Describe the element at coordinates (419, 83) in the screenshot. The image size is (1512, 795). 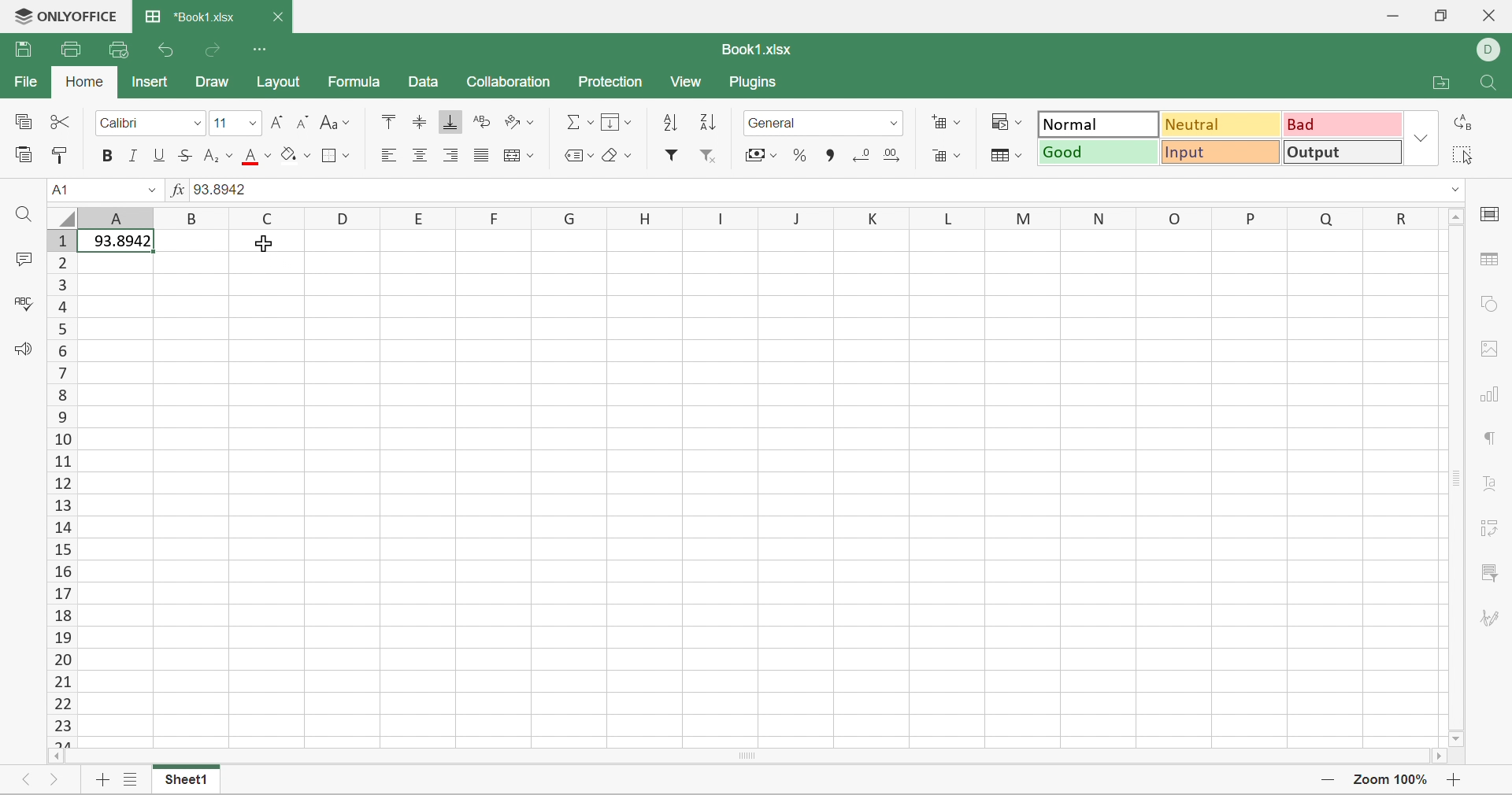
I see `Data` at that location.